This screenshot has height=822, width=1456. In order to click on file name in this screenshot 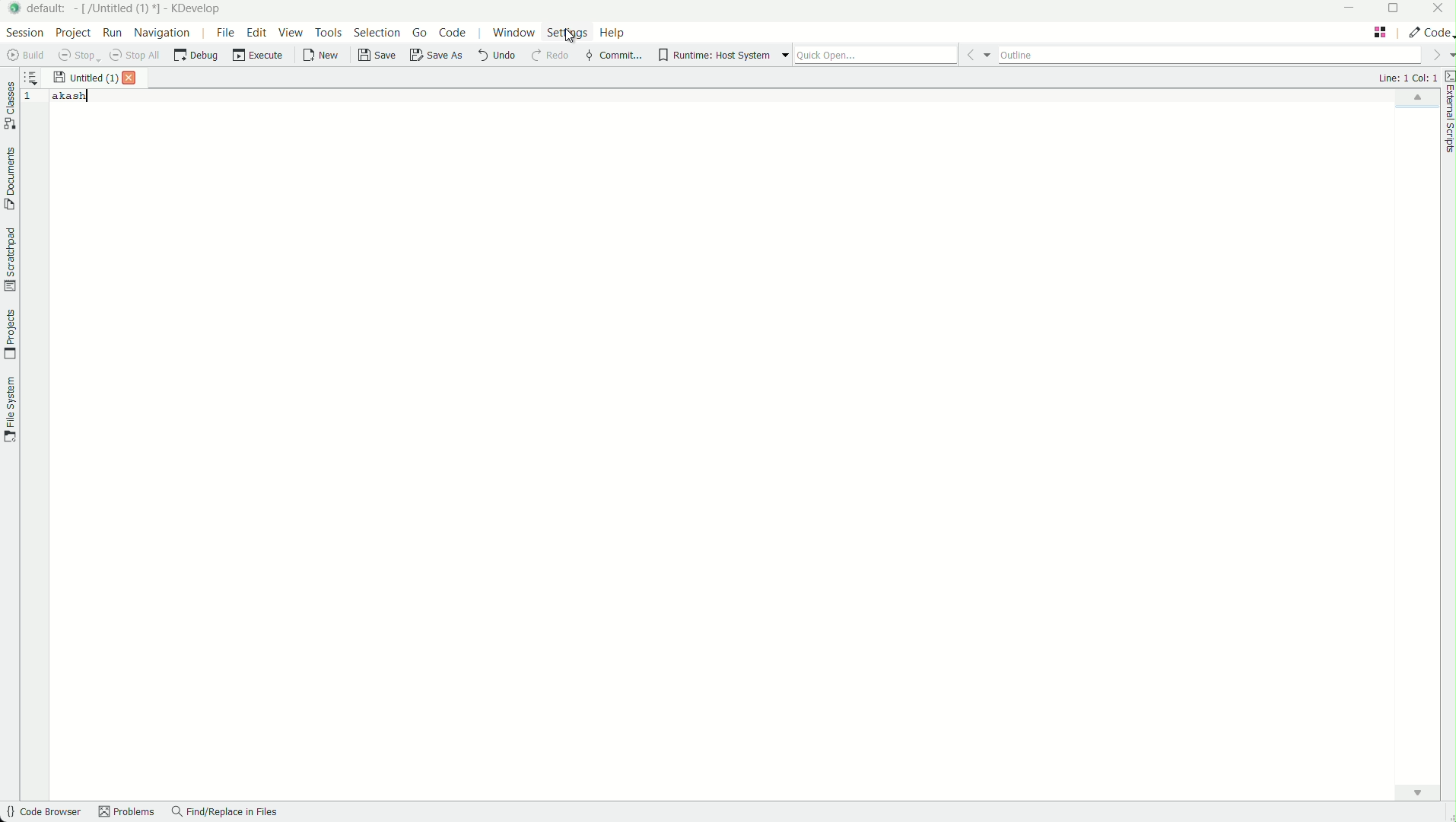, I will do `click(119, 8)`.